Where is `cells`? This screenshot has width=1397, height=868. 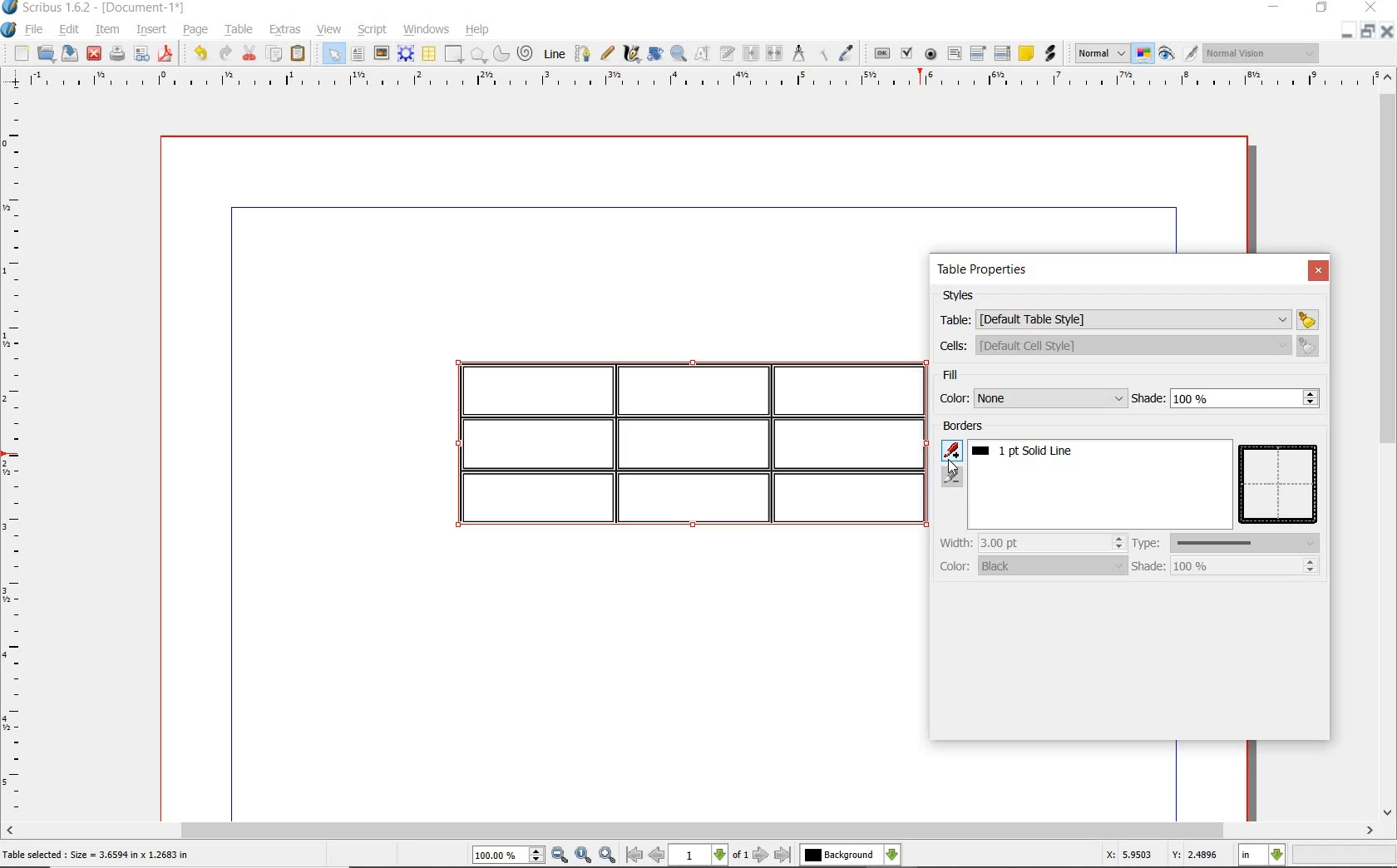
cells is located at coordinates (1126, 345).